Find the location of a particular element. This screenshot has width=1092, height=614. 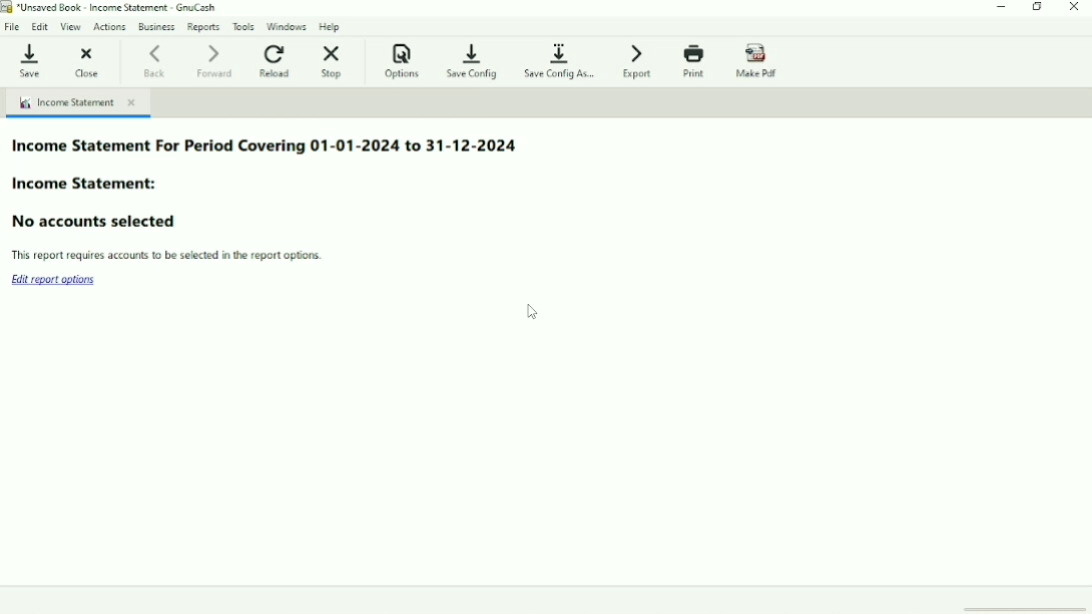

Tools is located at coordinates (245, 25).